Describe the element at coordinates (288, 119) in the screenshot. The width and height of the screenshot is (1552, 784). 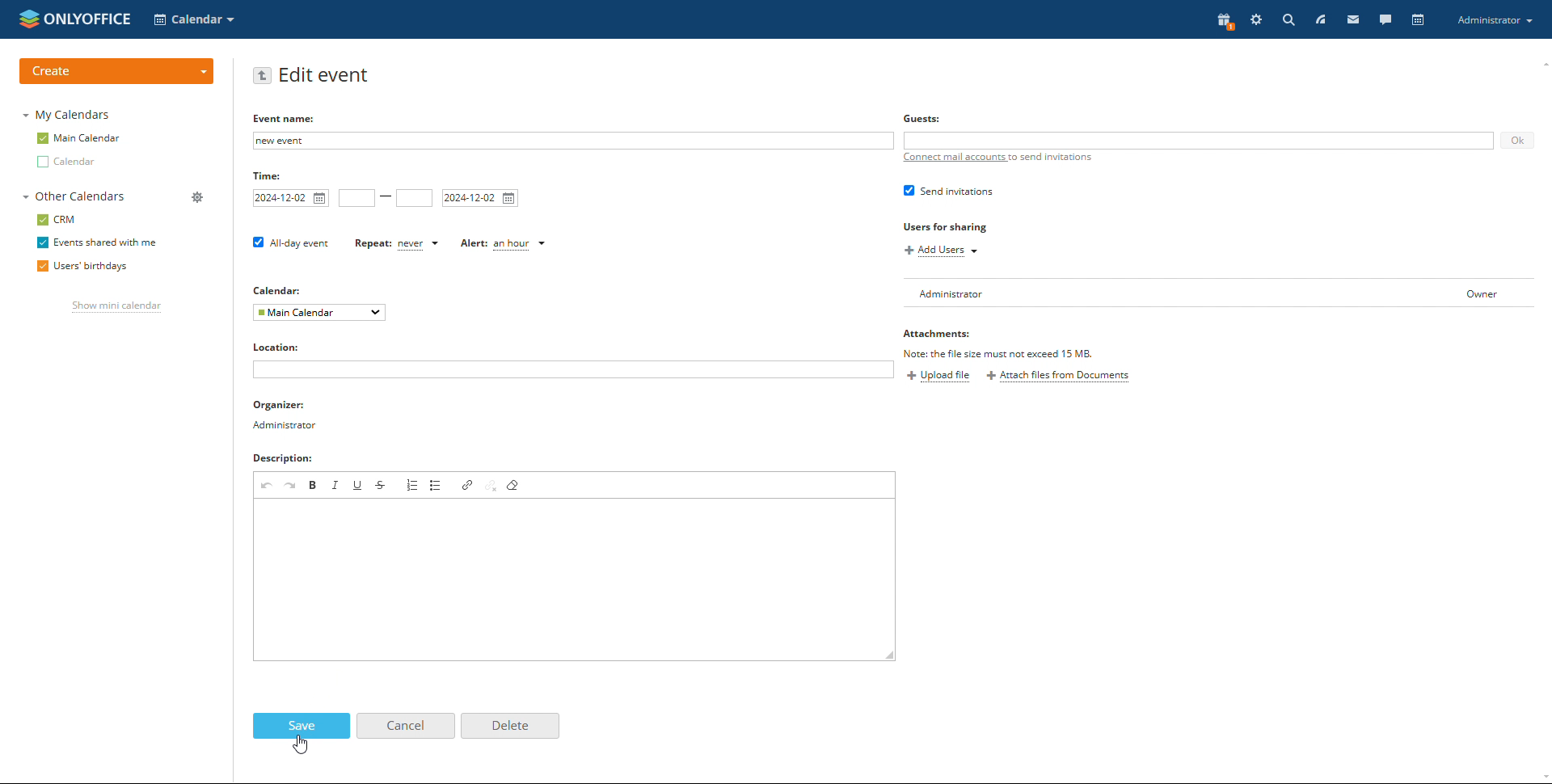
I see `EVENT NAME` at that location.